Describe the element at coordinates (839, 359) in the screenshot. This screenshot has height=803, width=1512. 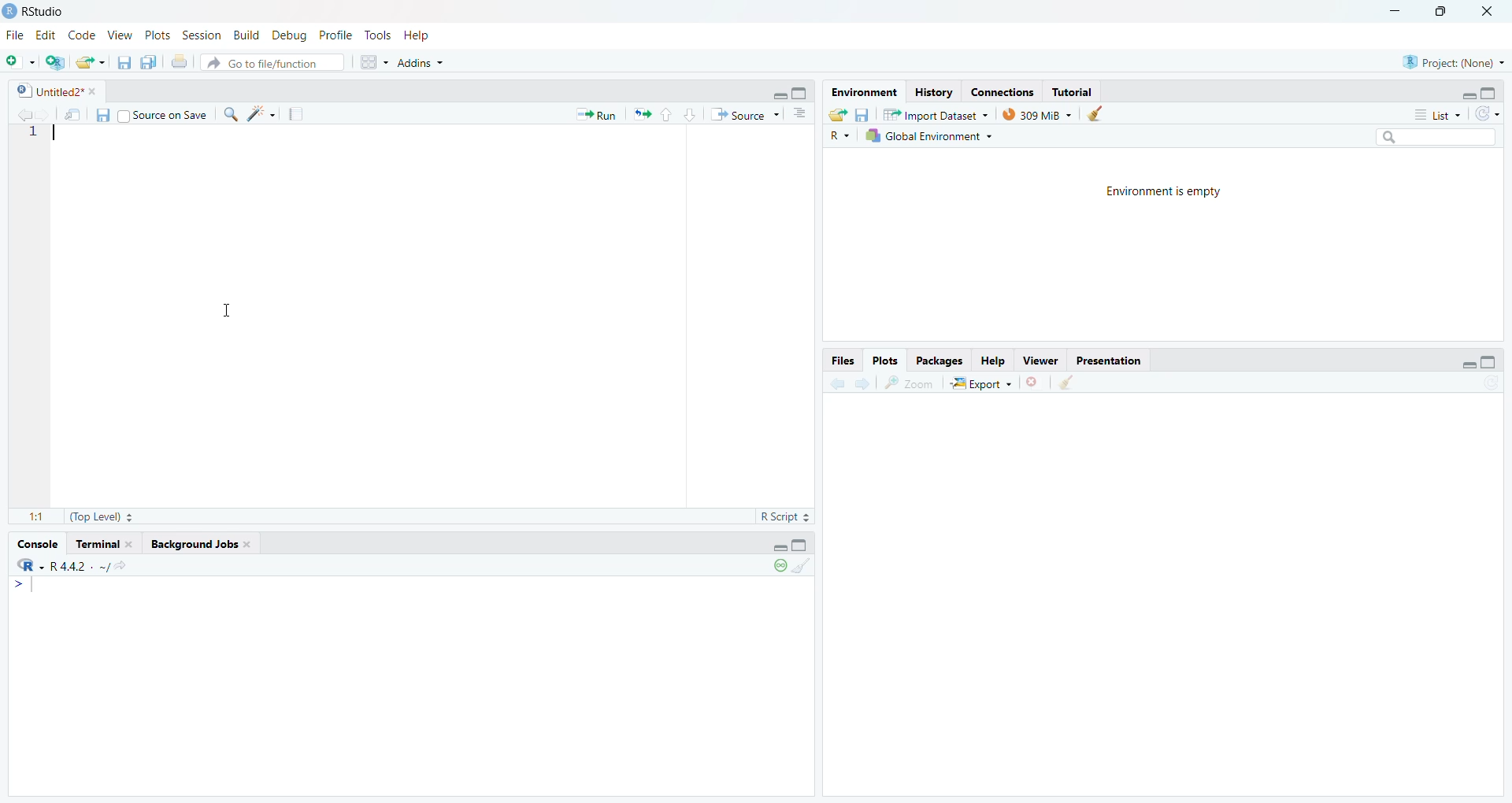
I see `Files` at that location.